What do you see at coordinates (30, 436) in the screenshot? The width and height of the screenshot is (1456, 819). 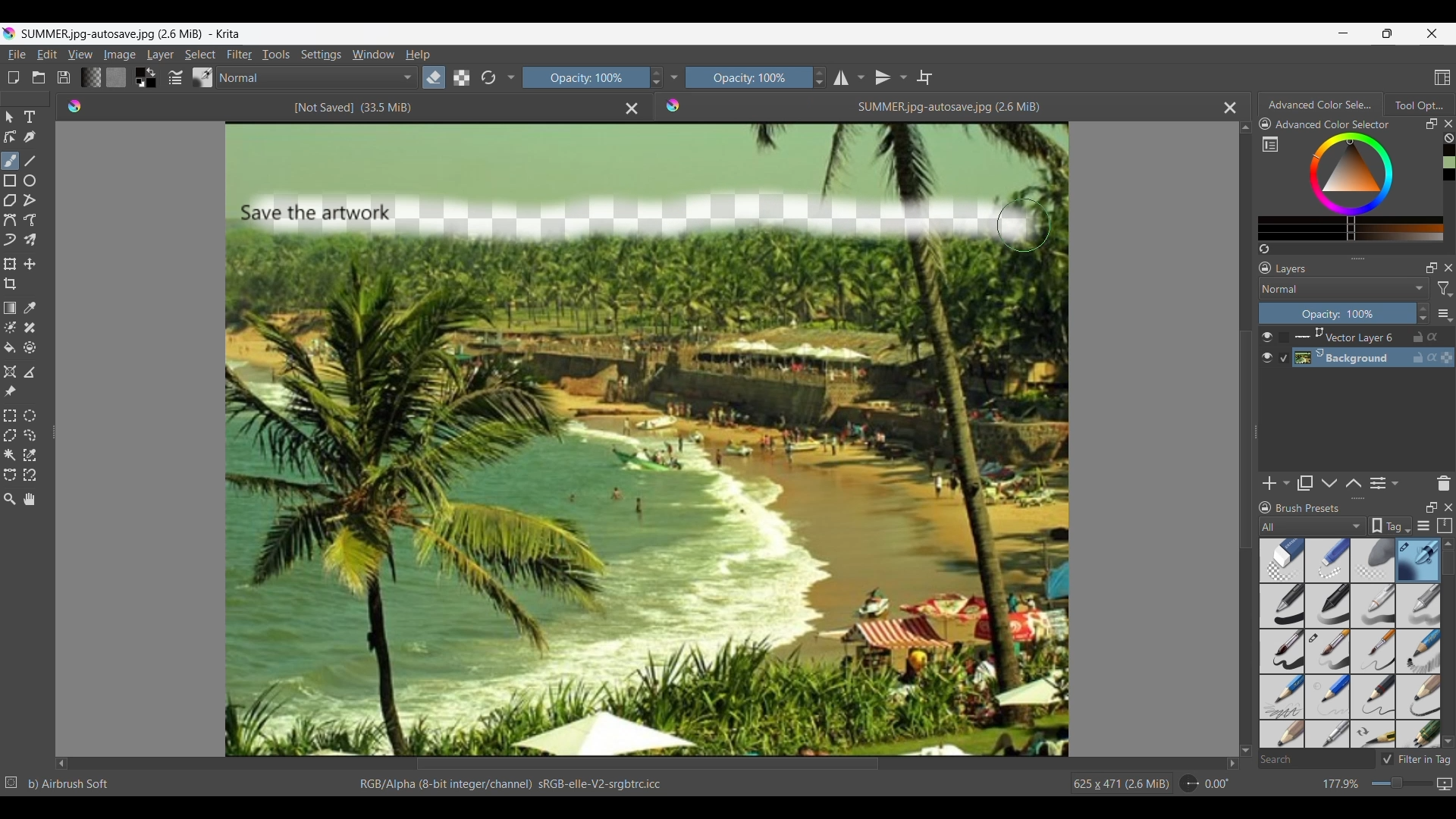 I see `Freehand selection tool` at bounding box center [30, 436].